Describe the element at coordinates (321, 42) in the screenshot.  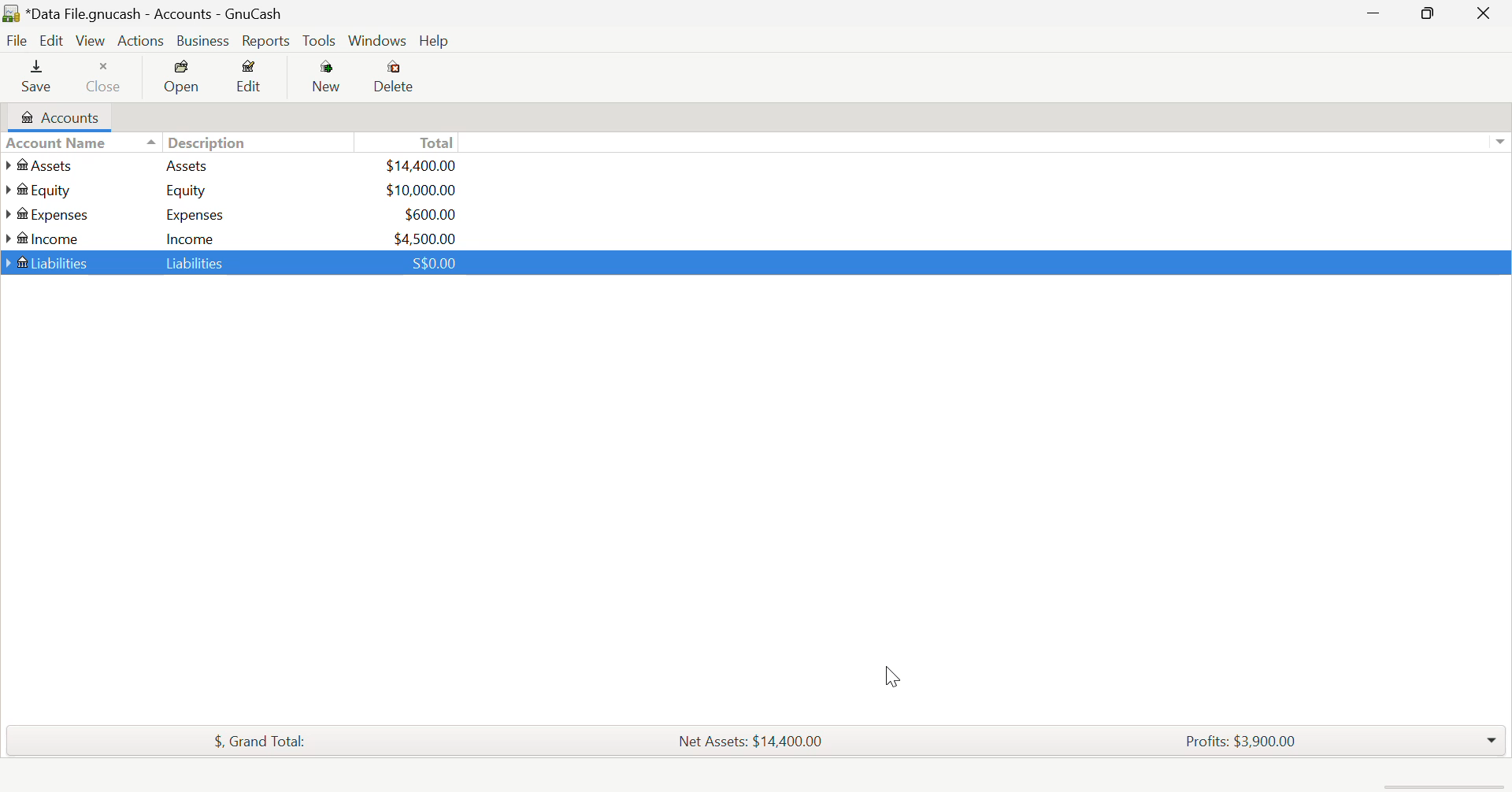
I see `Tools` at that location.